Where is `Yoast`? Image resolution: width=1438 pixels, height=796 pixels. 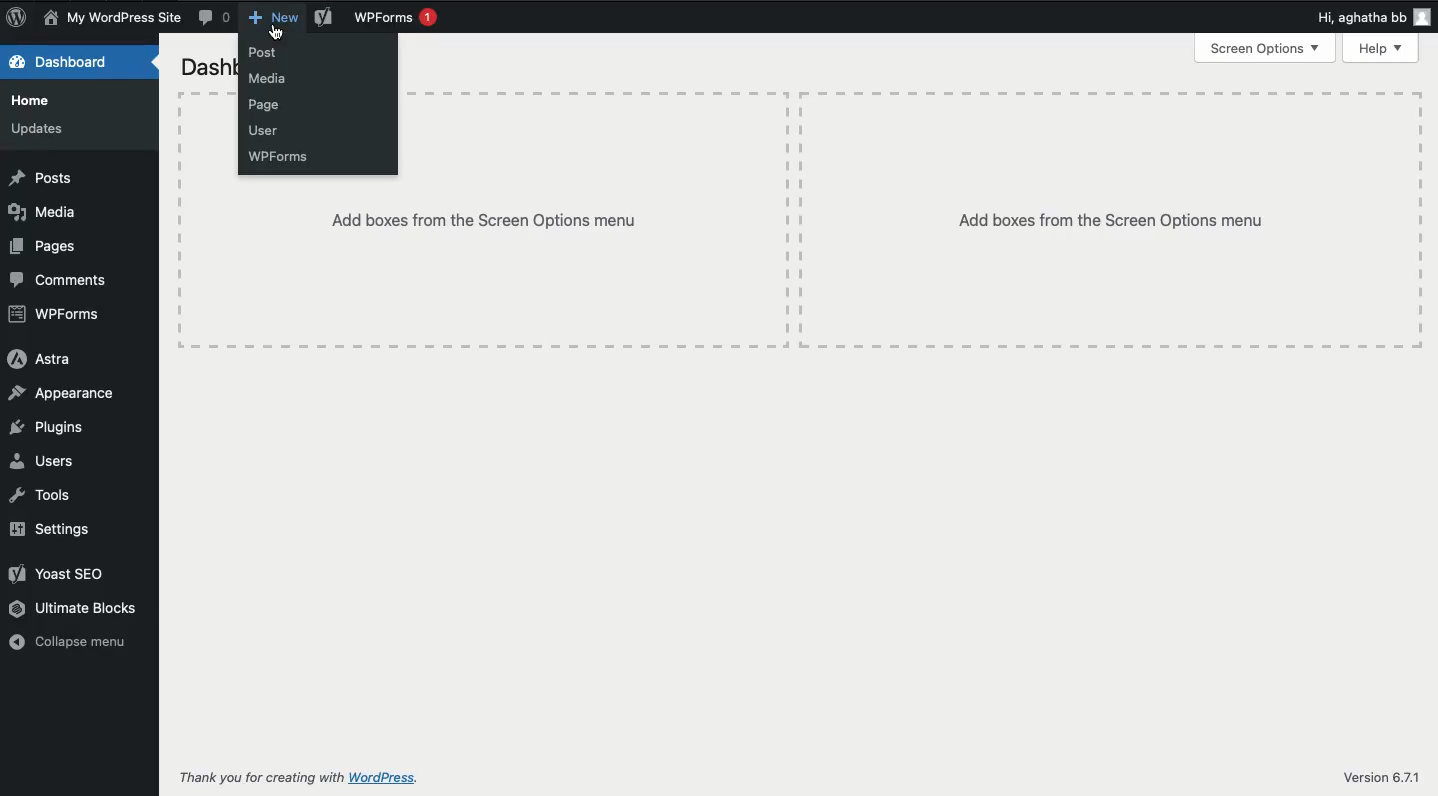 Yoast is located at coordinates (59, 574).